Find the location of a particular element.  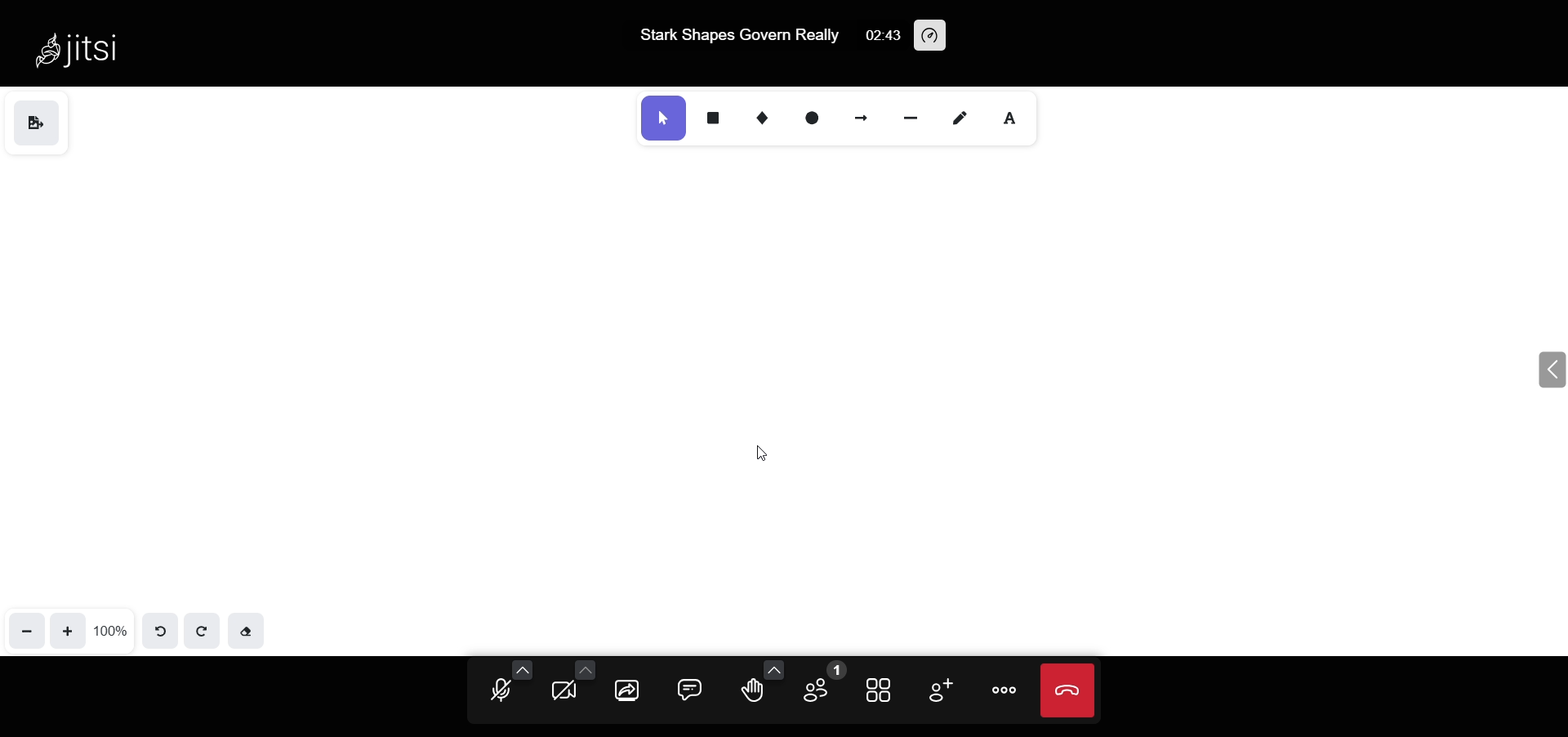

eraser is located at coordinates (246, 629).